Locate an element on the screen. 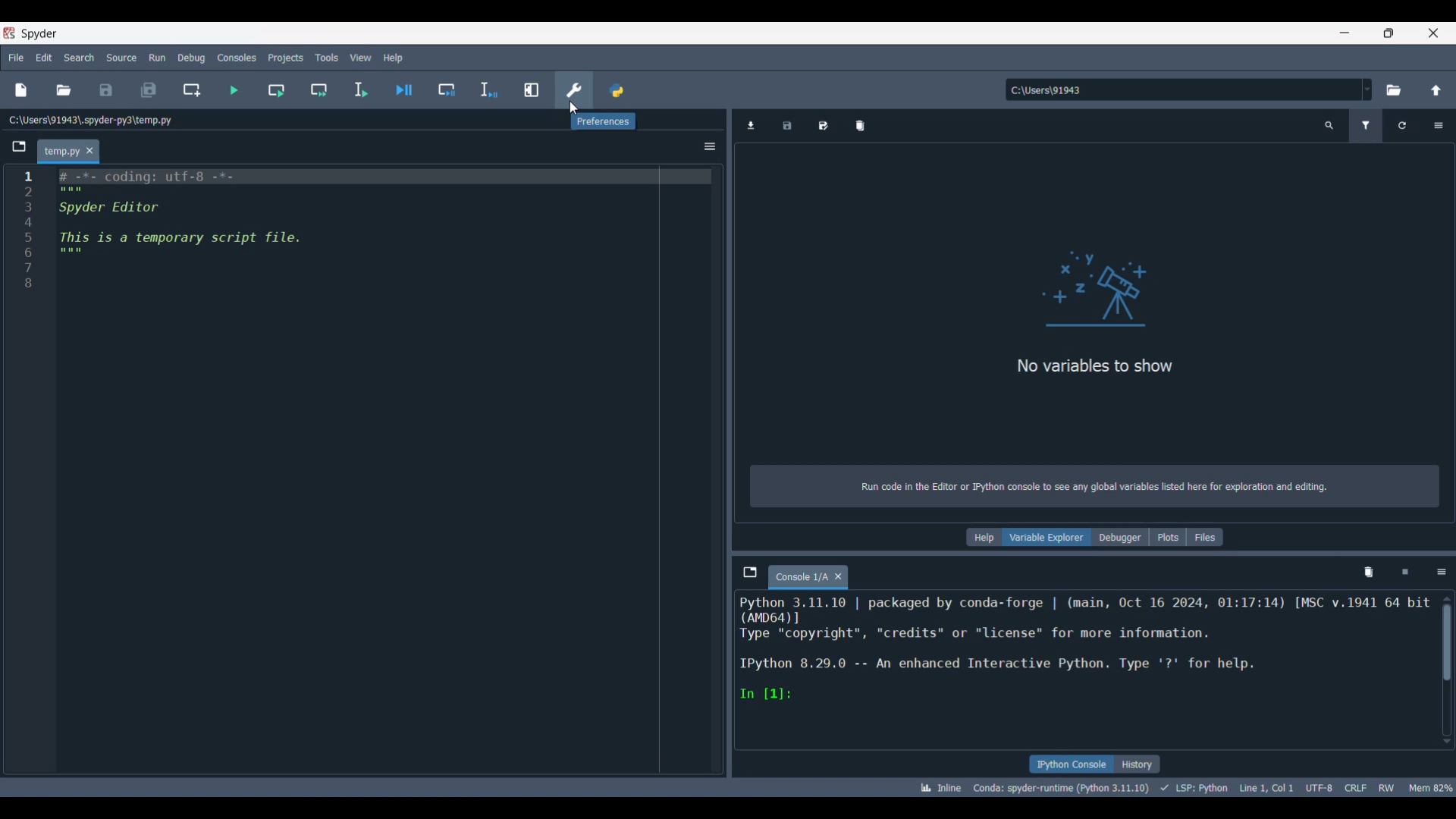  History  is located at coordinates (1138, 764).